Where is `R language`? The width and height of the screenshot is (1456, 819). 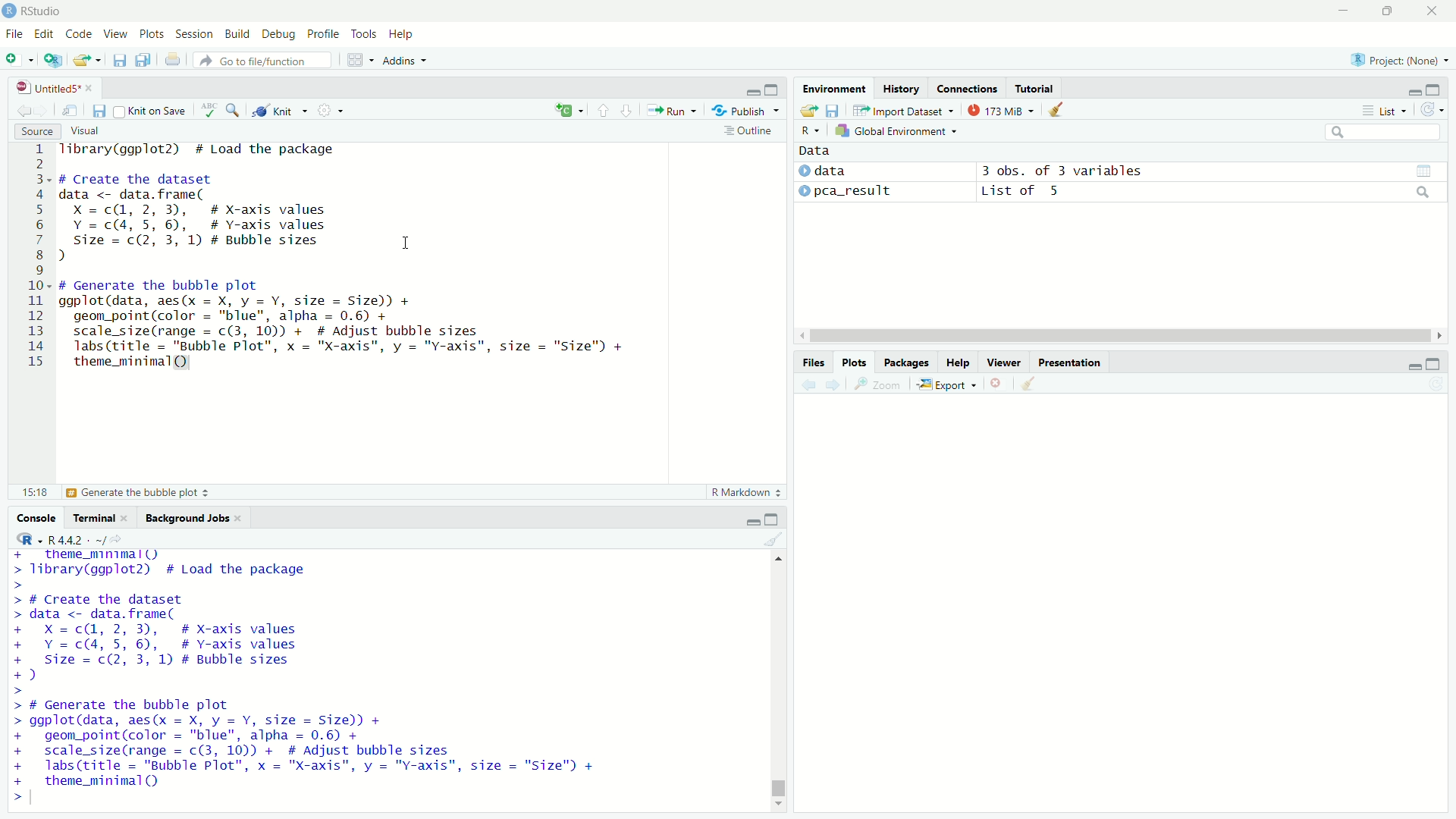
R language is located at coordinates (25, 538).